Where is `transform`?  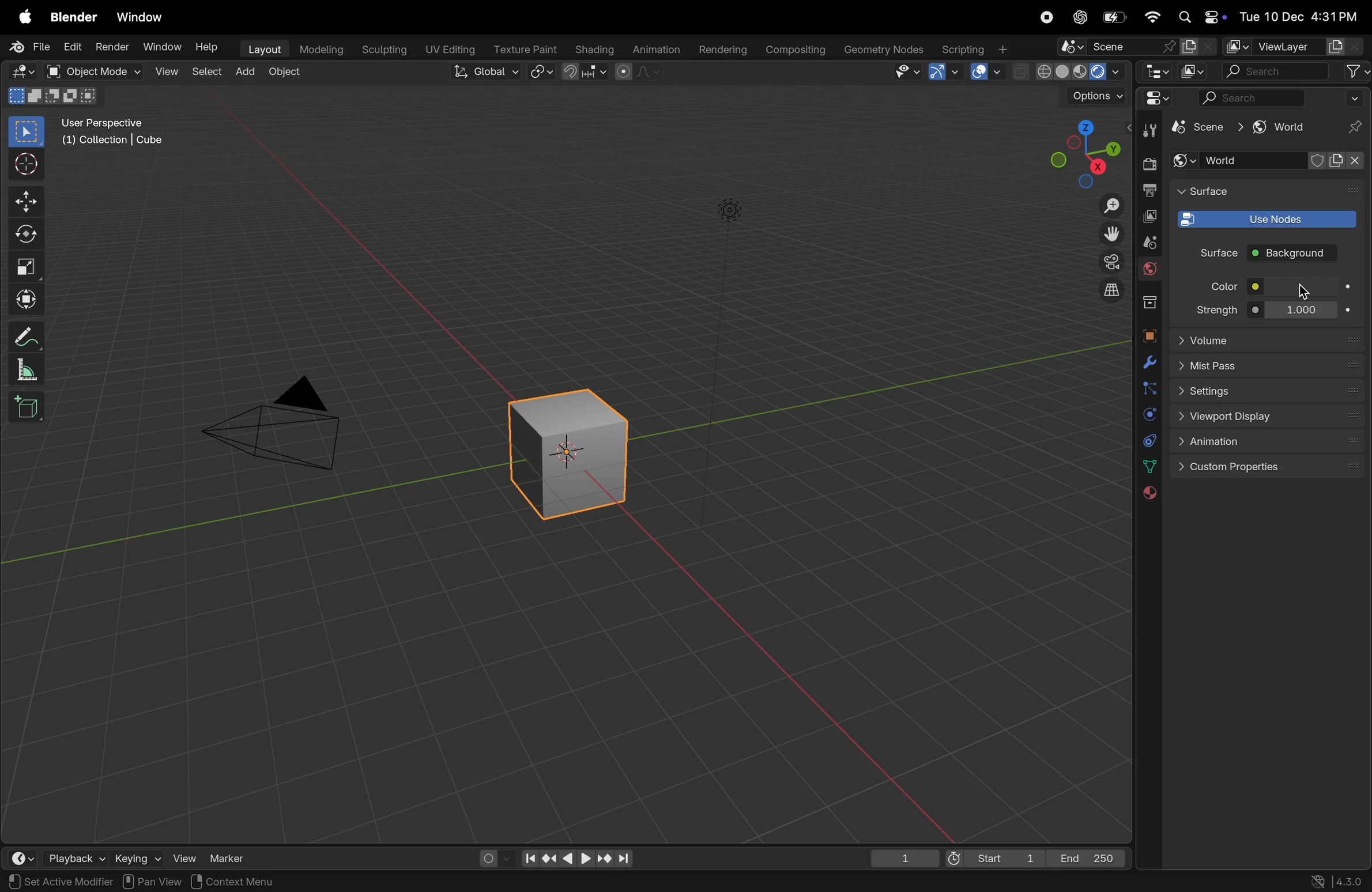
transform is located at coordinates (29, 235).